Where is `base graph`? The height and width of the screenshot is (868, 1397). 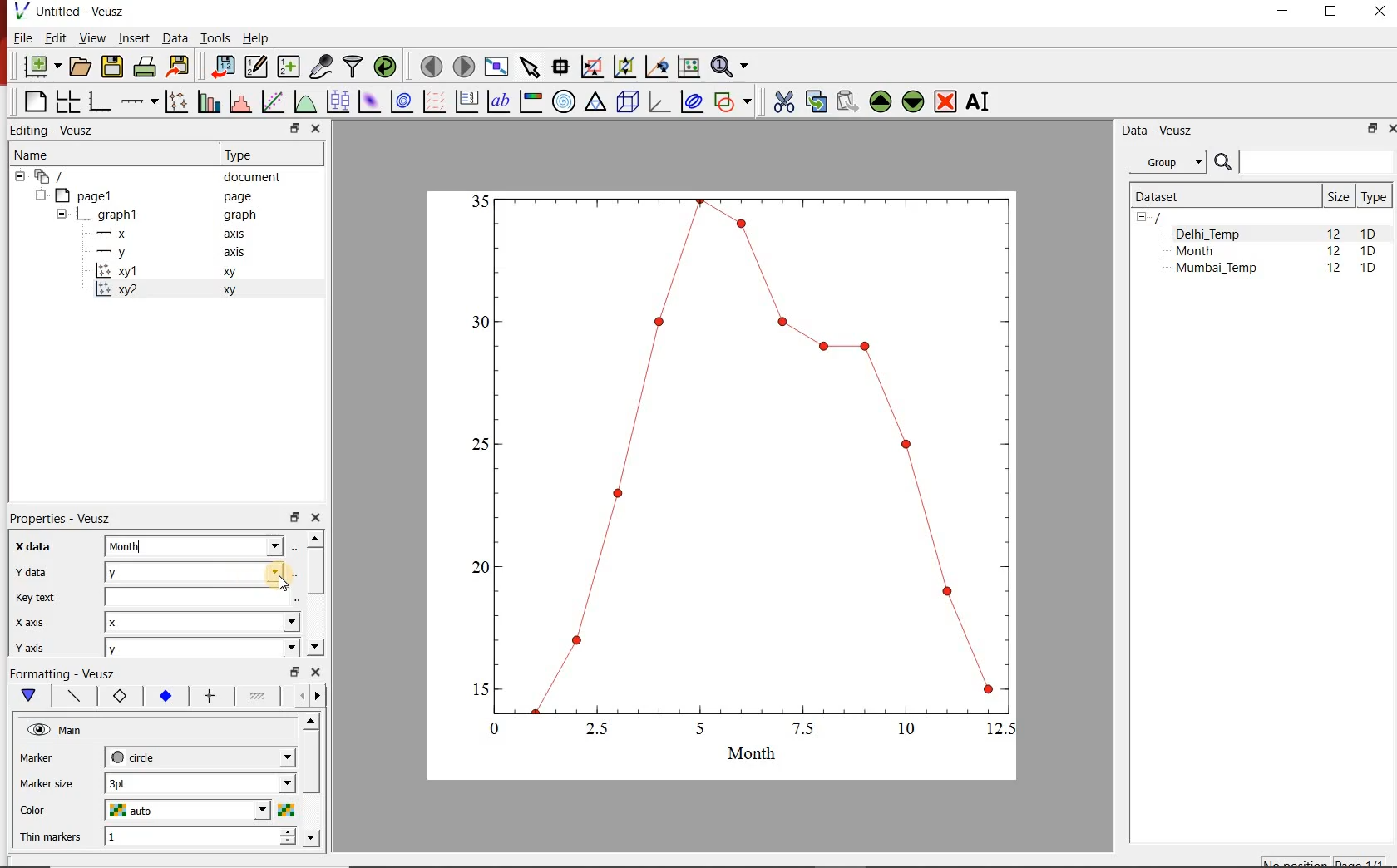 base graph is located at coordinates (98, 102).